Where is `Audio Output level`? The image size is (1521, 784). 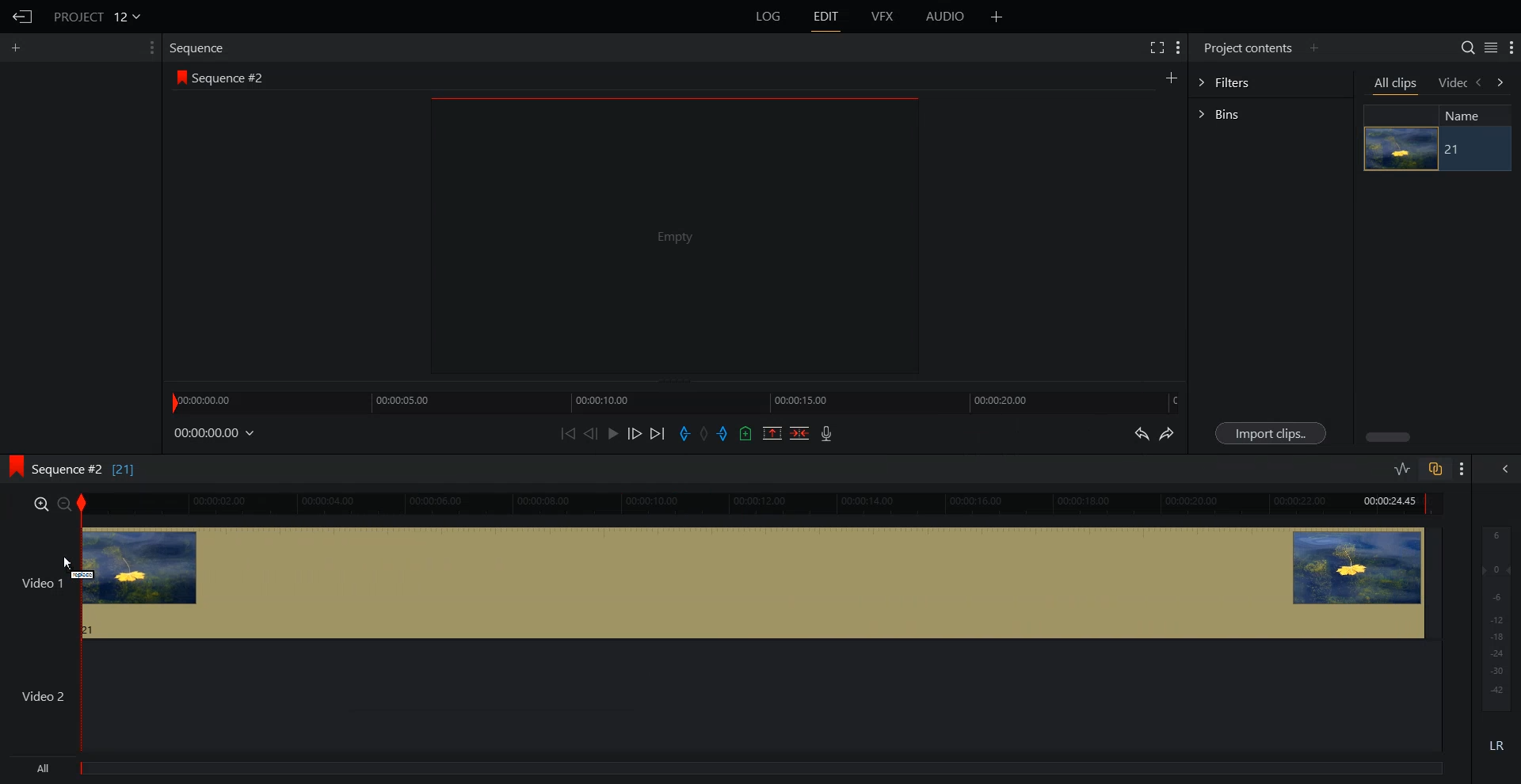 Audio Output level is located at coordinates (1494, 618).